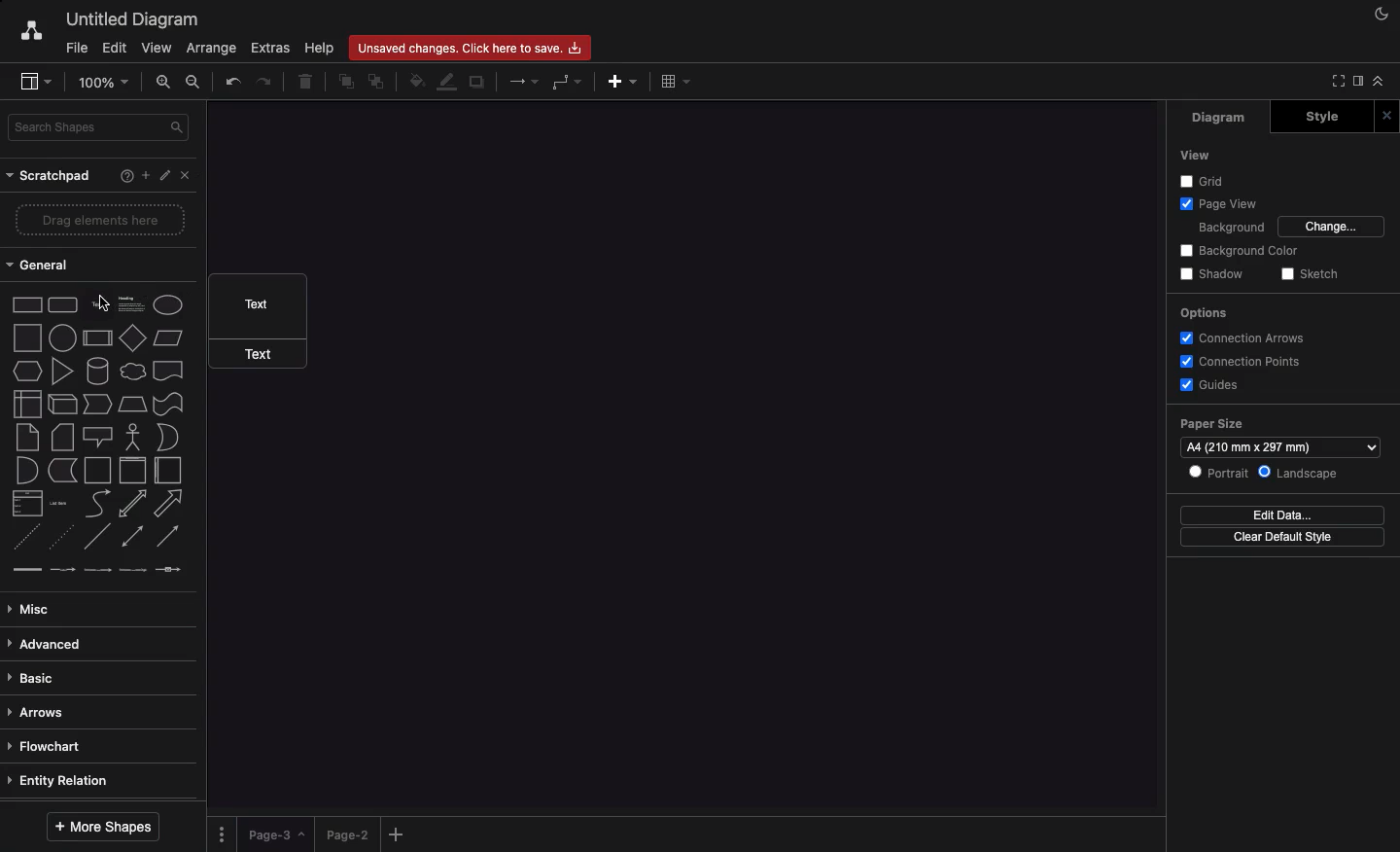 The width and height of the screenshot is (1400, 852). Describe the element at coordinates (131, 438) in the screenshot. I see `actor` at that location.